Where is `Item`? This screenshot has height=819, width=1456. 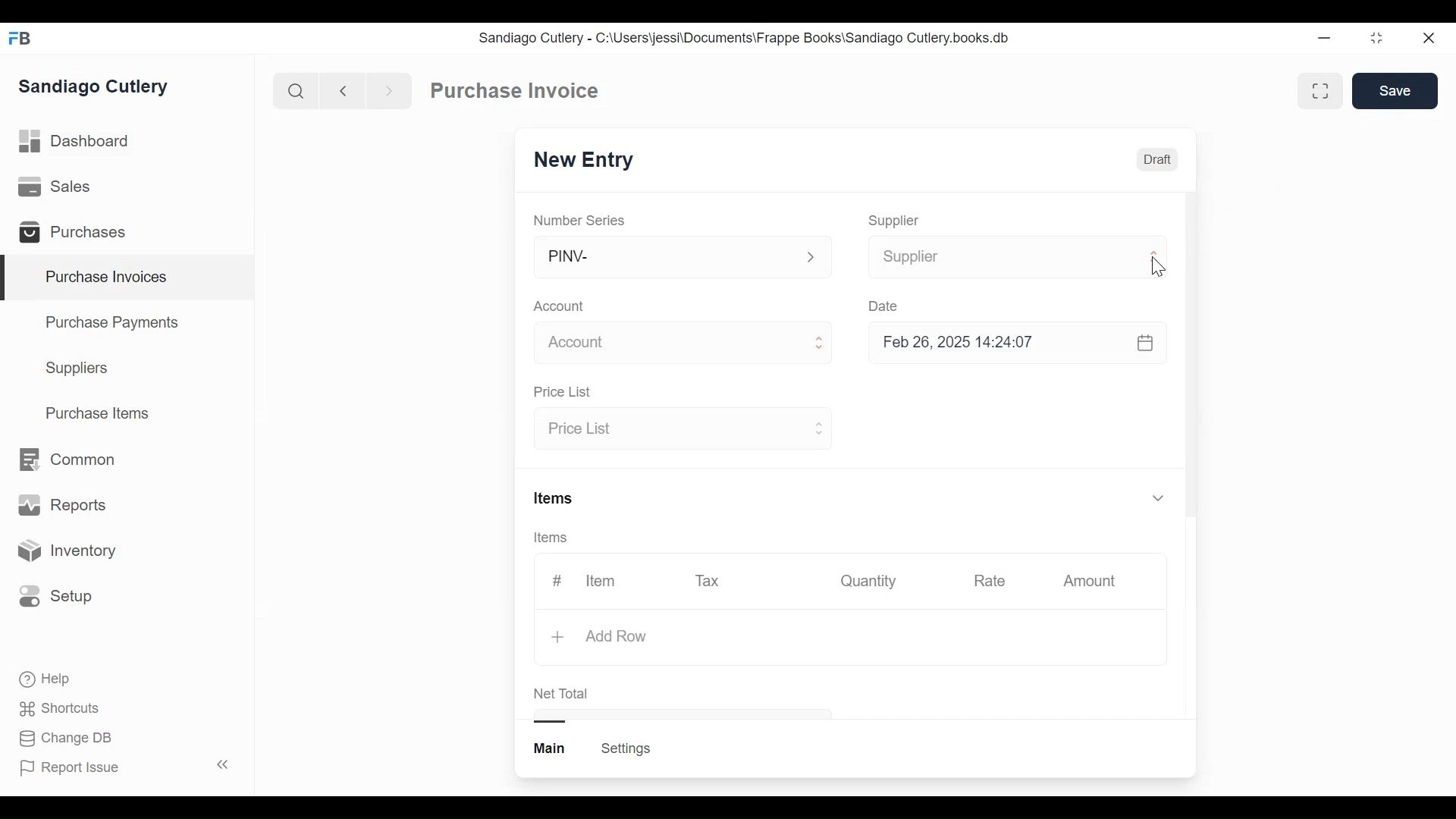
Item is located at coordinates (599, 581).